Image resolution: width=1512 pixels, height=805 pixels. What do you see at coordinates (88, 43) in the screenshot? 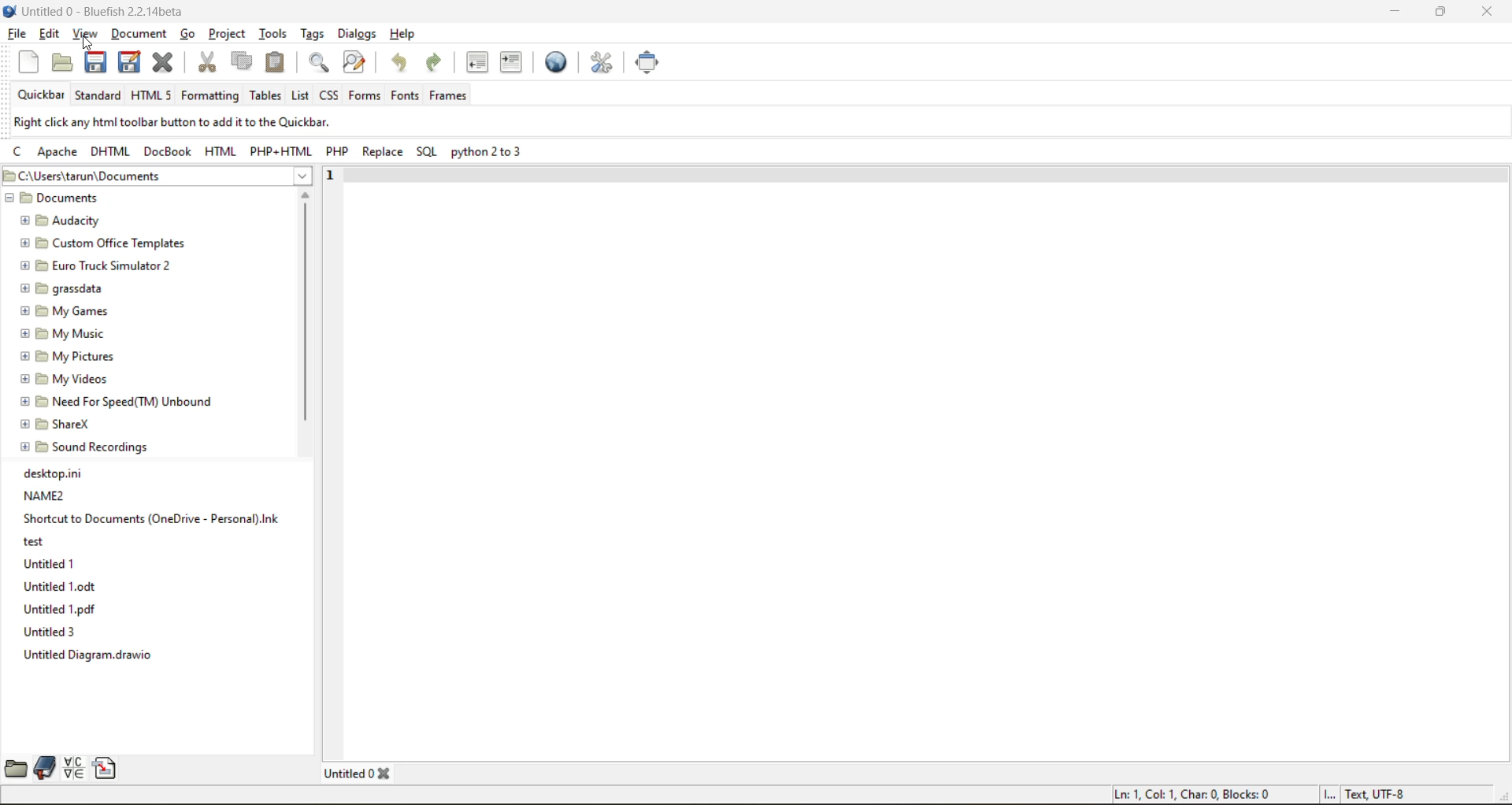
I see `cursor` at bounding box center [88, 43].